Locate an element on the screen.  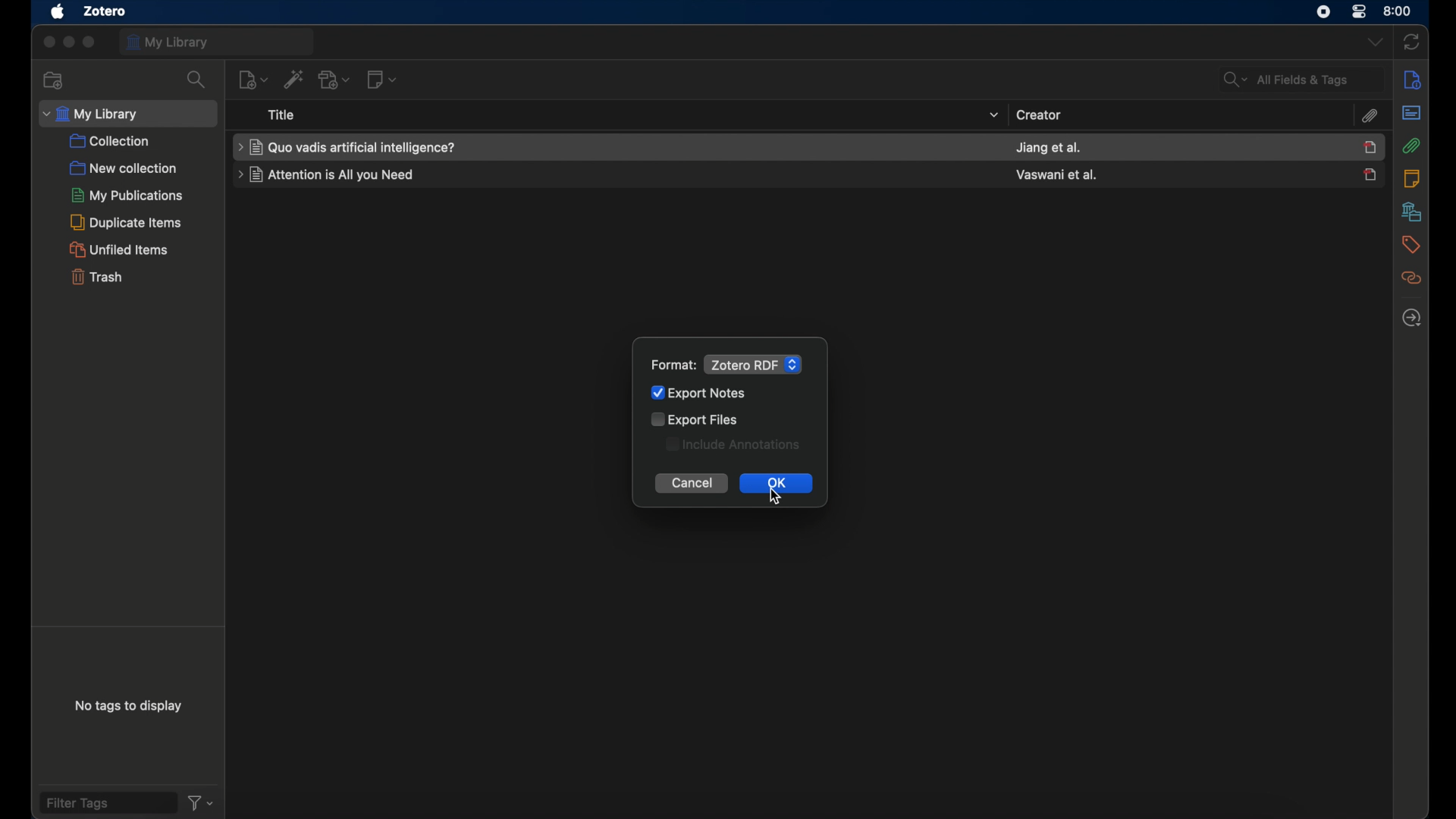
duplicate items is located at coordinates (127, 222).